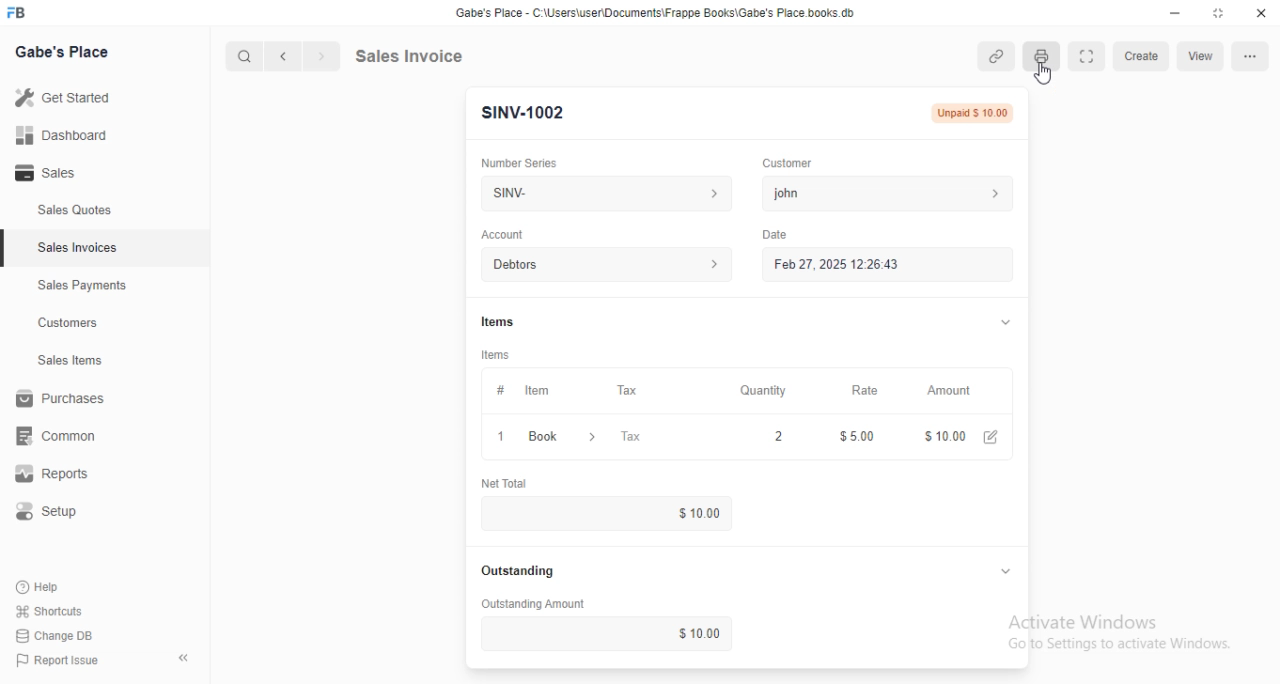 The width and height of the screenshot is (1280, 684). Describe the element at coordinates (997, 57) in the screenshot. I see `attachments` at that location.